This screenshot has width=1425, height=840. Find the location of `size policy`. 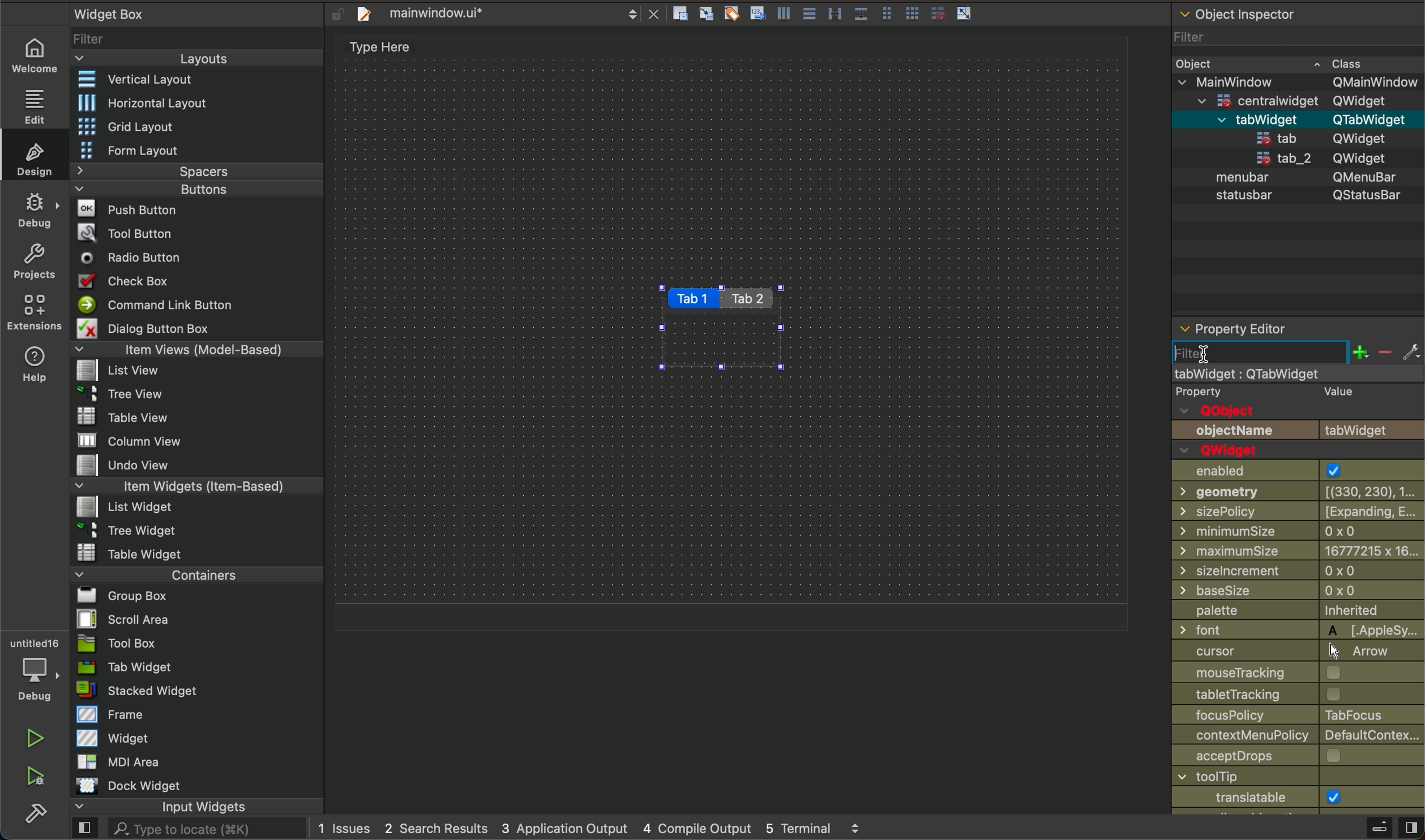

size policy is located at coordinates (1299, 511).